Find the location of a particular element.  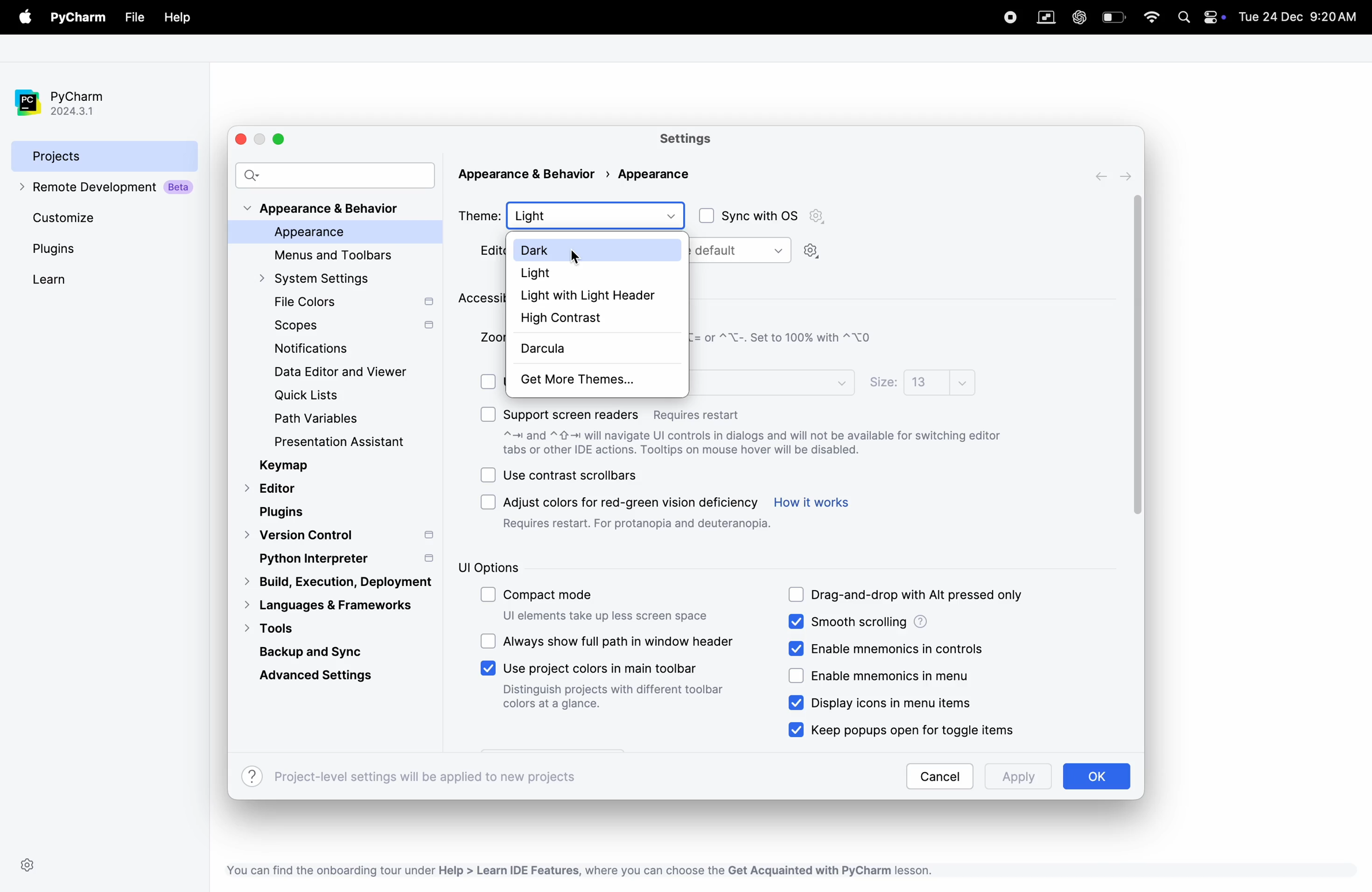

keymap is located at coordinates (287, 466).